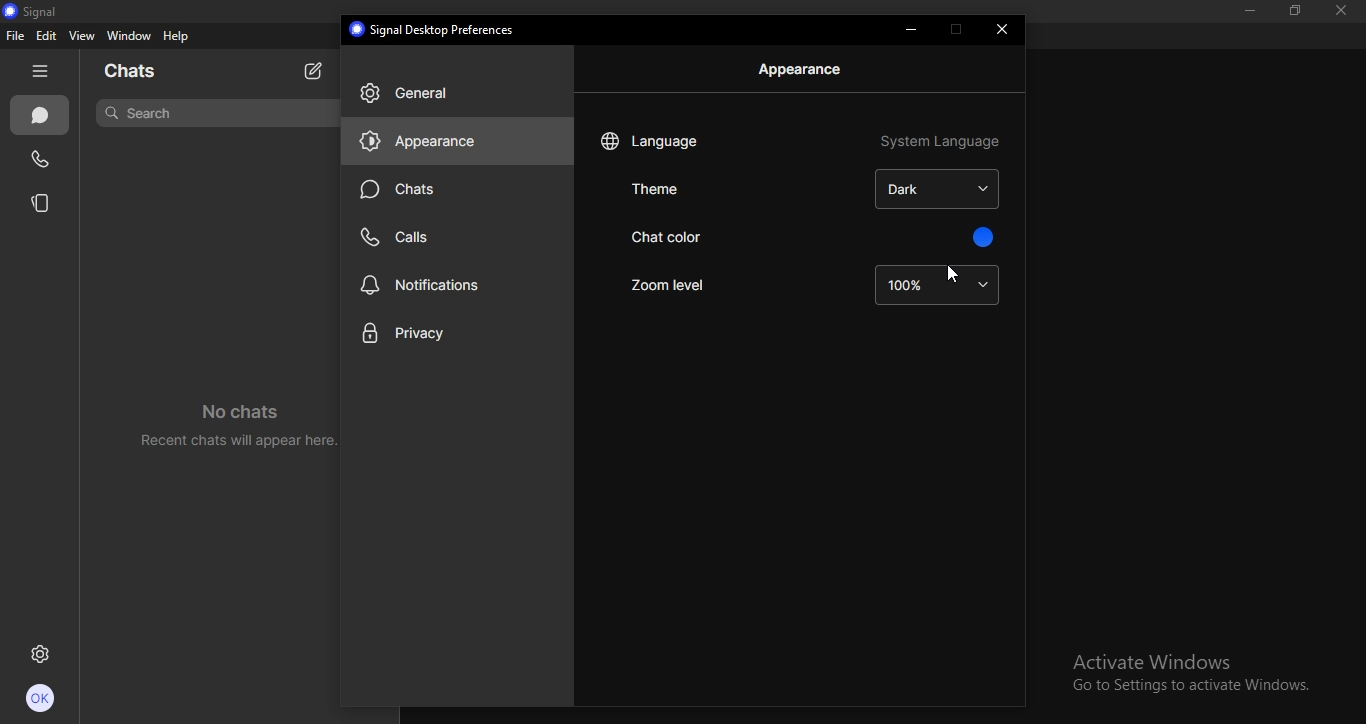  I want to click on No chats Recent chats will appear here., so click(231, 418).